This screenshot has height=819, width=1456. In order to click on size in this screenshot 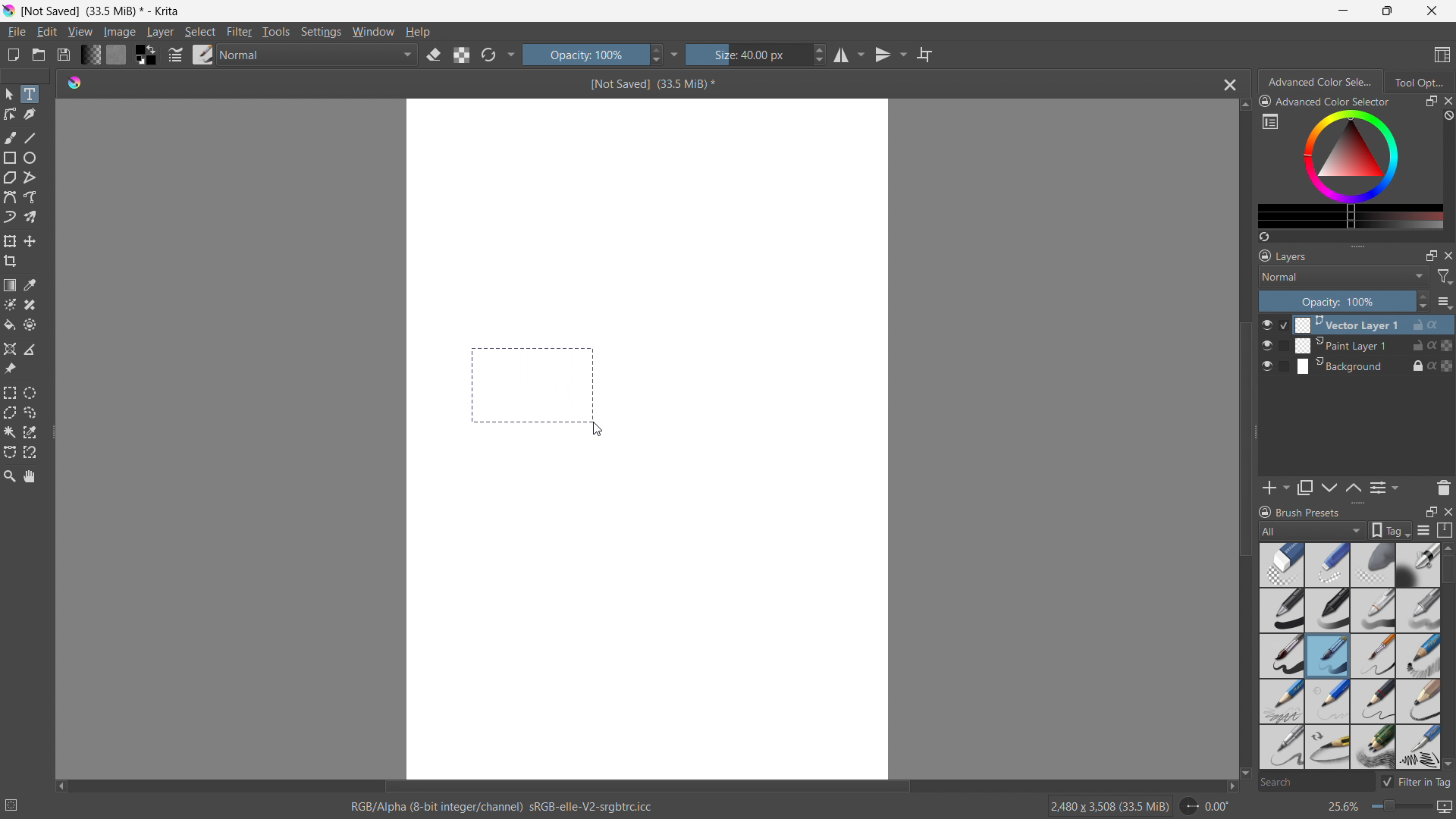, I will do `click(756, 55)`.